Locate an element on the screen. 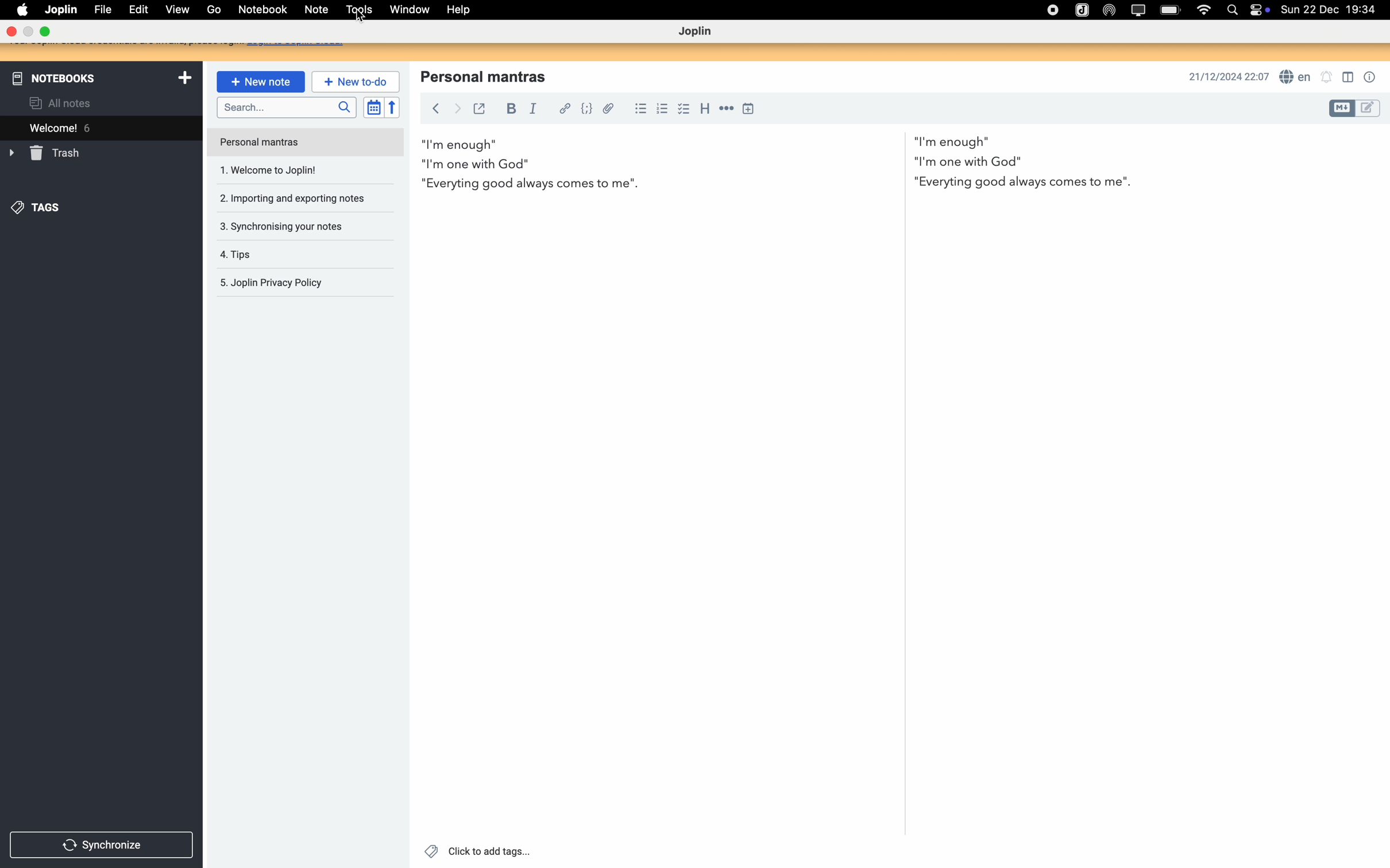  toggle editor layout is located at coordinates (1341, 108).